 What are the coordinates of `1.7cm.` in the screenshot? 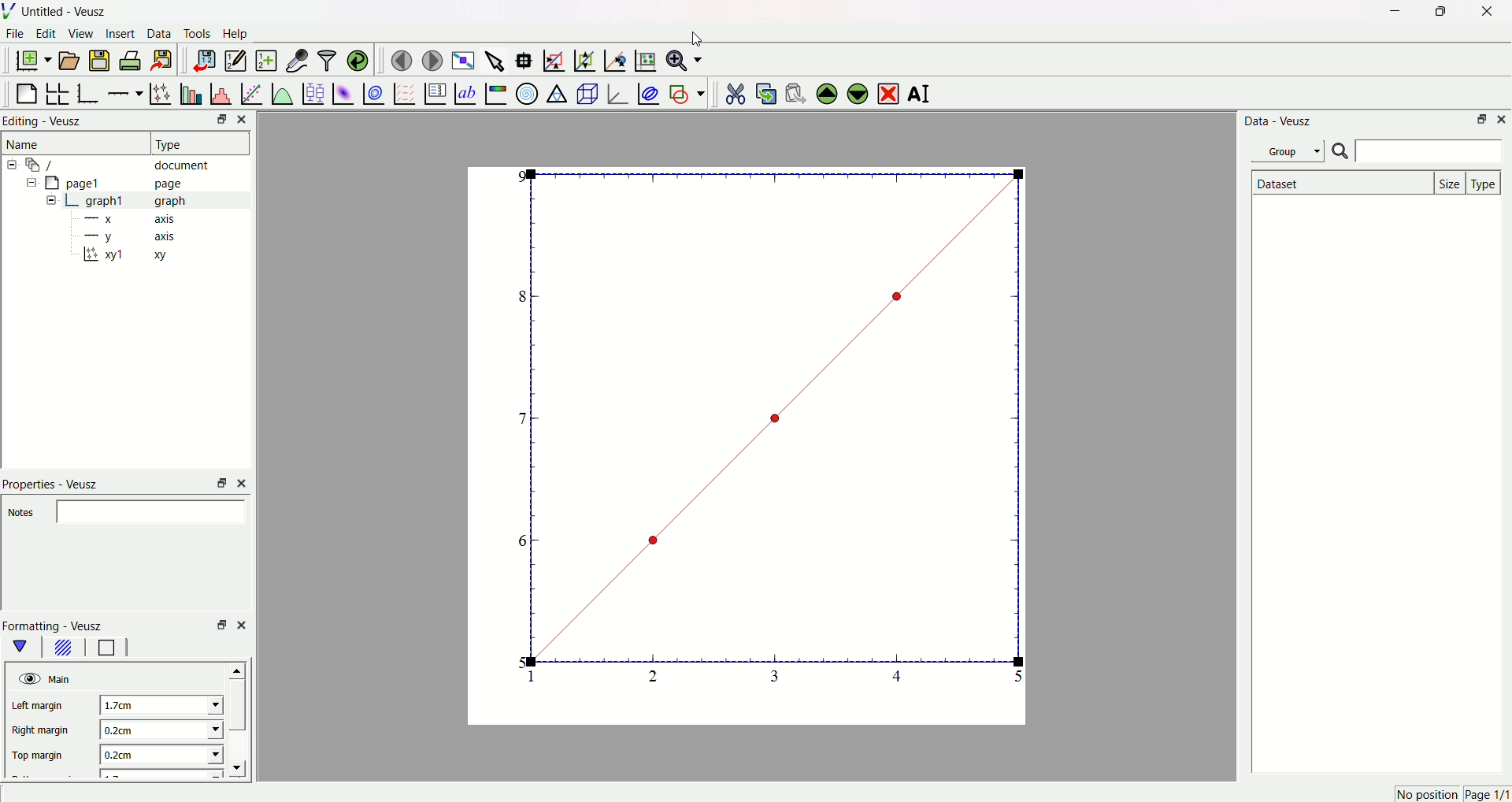 It's located at (156, 704).